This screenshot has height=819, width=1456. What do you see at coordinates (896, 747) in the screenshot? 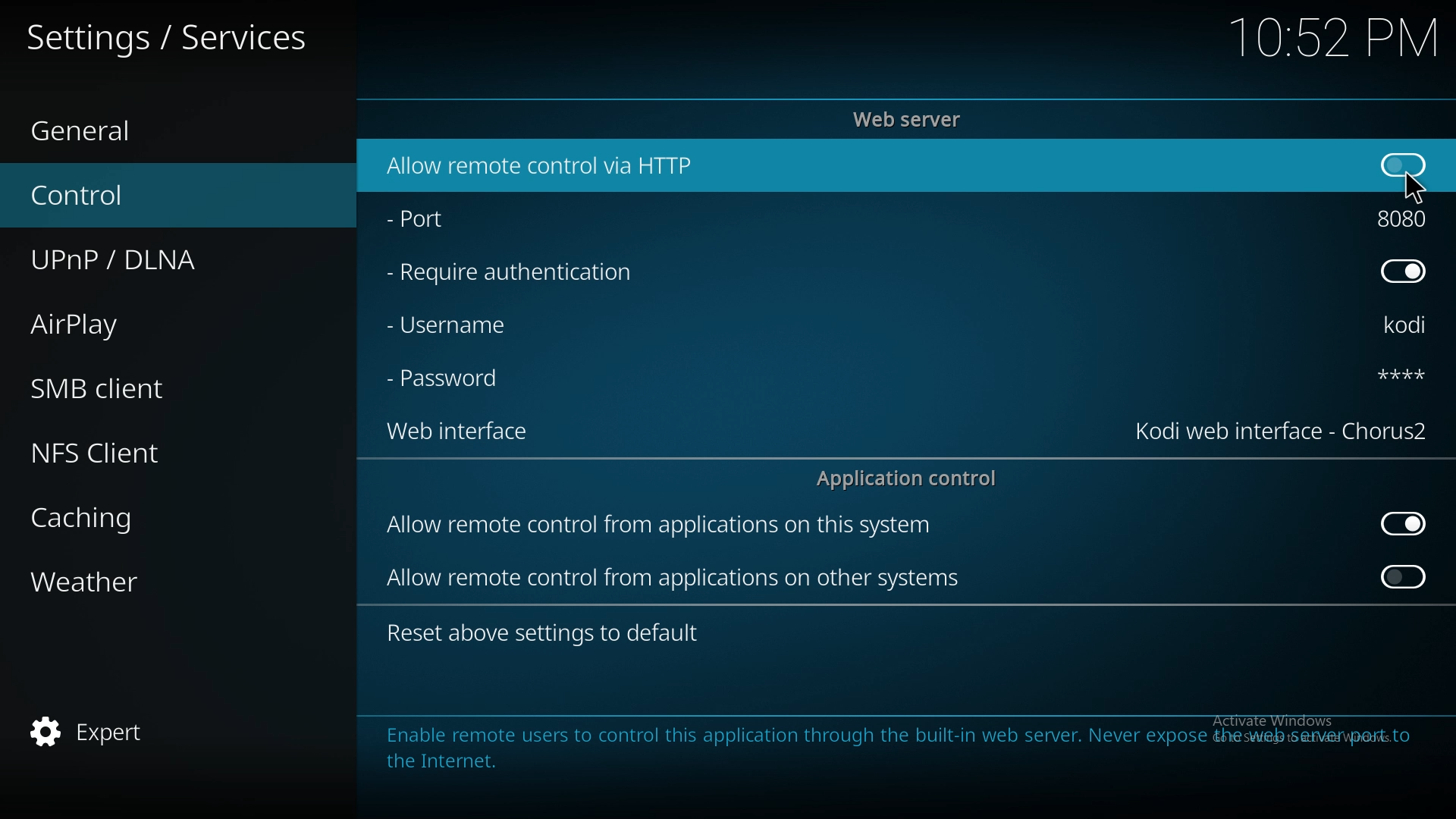
I see `info` at bounding box center [896, 747].